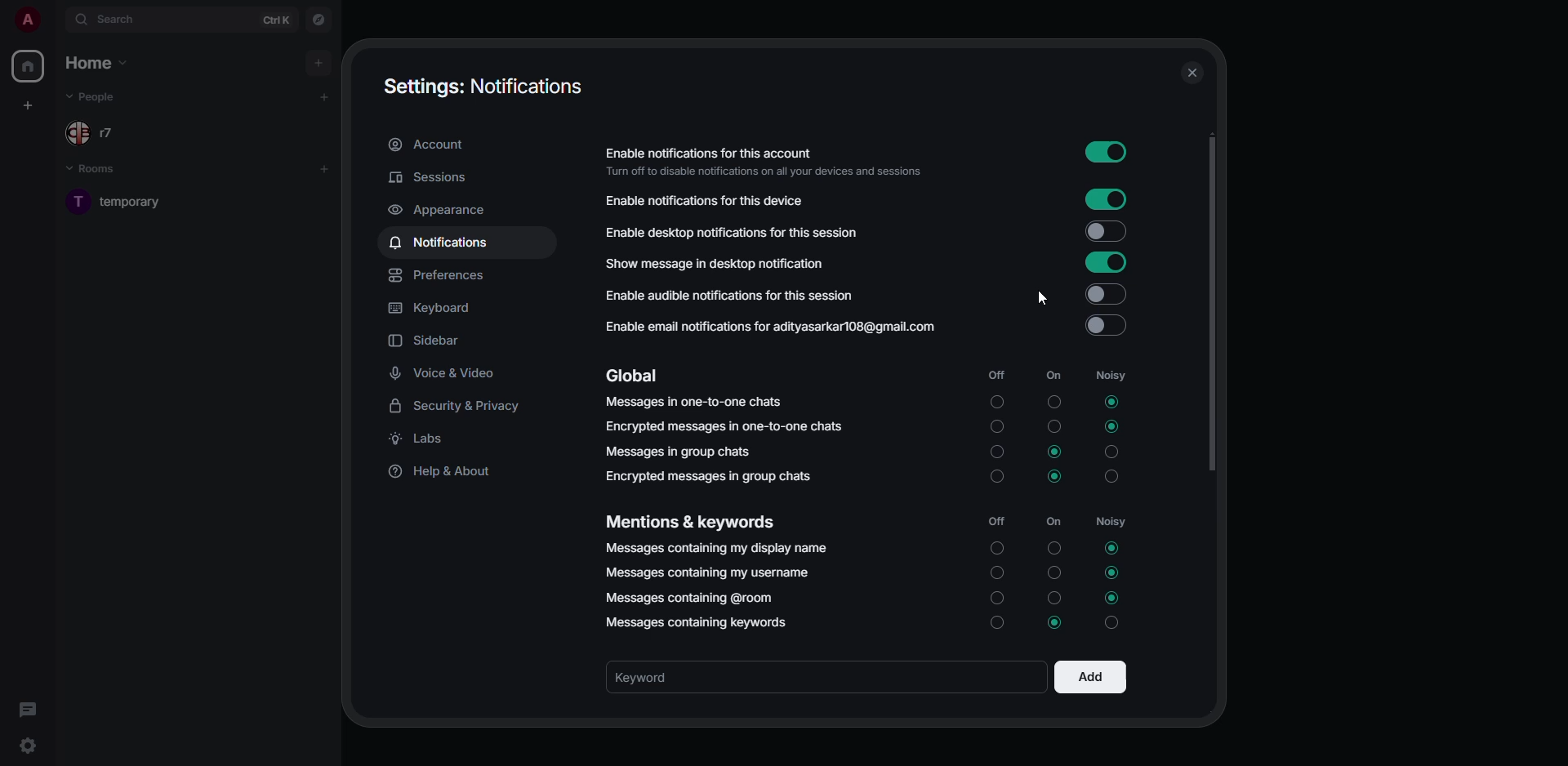  I want to click on security & privacy, so click(457, 407).